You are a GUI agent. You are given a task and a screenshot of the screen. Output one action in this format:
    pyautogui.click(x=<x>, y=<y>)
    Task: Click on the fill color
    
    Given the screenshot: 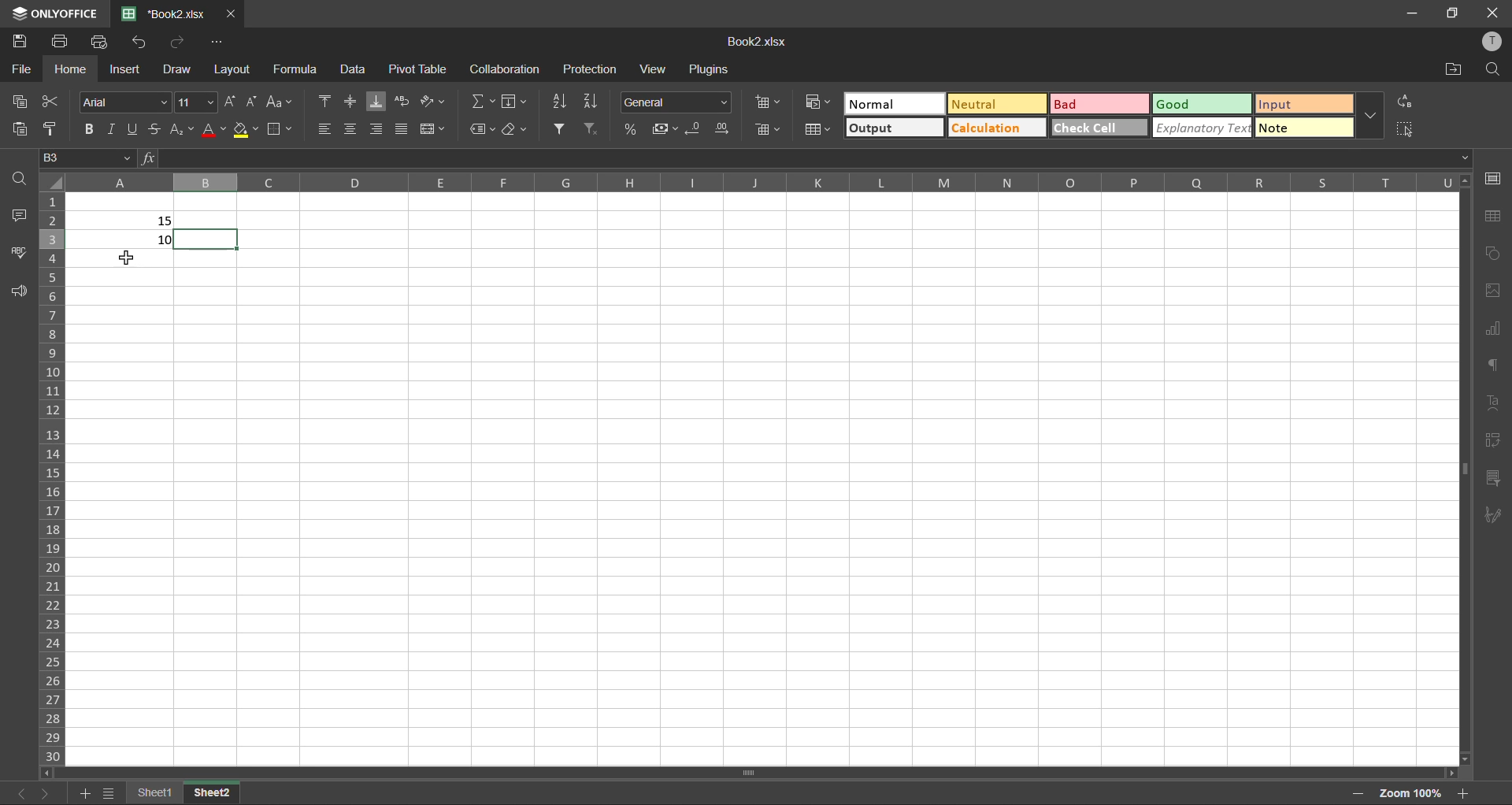 What is the action you would take?
    pyautogui.click(x=245, y=129)
    